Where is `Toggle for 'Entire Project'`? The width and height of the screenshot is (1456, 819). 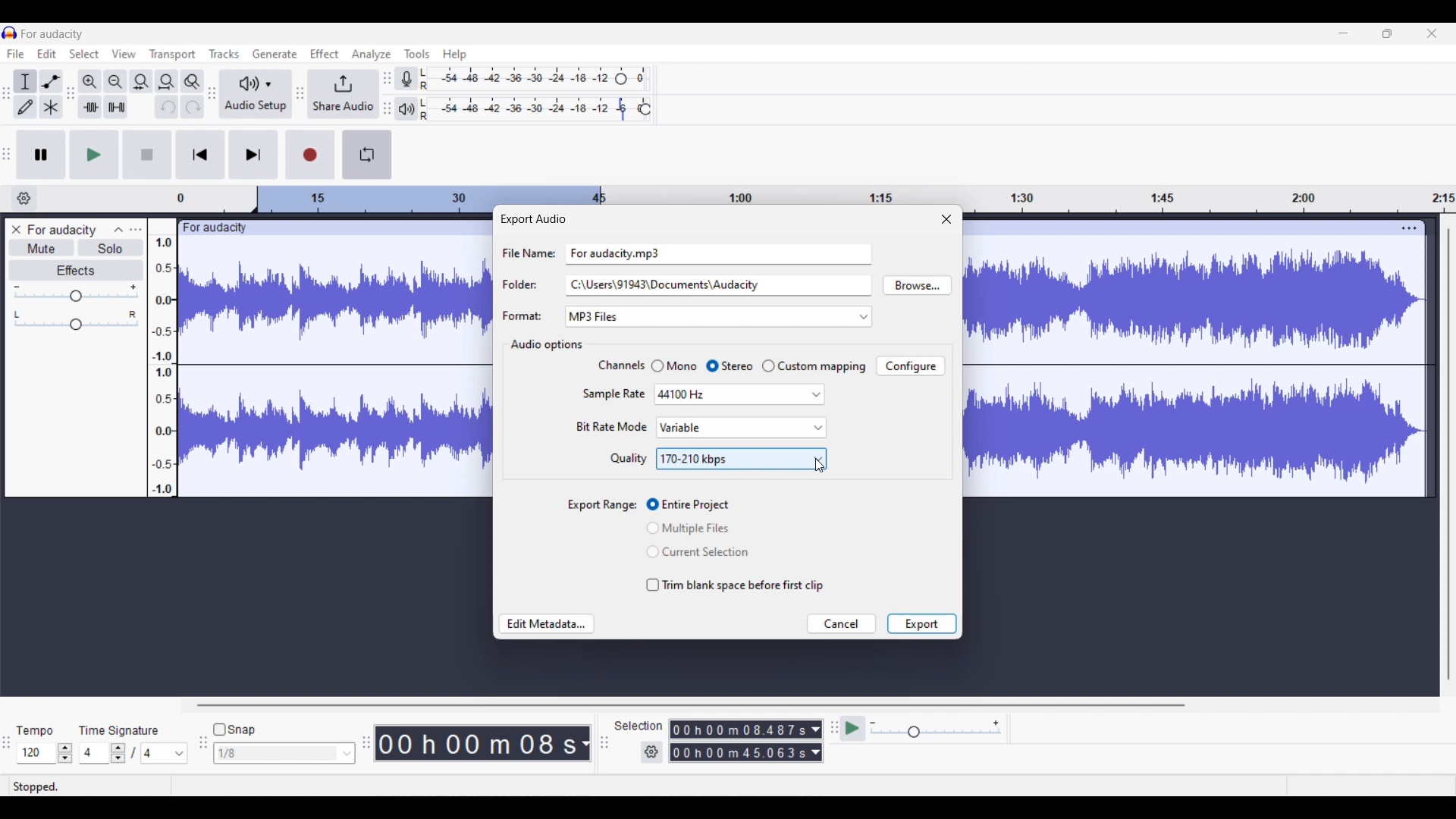 Toggle for 'Entire Project' is located at coordinates (699, 505).